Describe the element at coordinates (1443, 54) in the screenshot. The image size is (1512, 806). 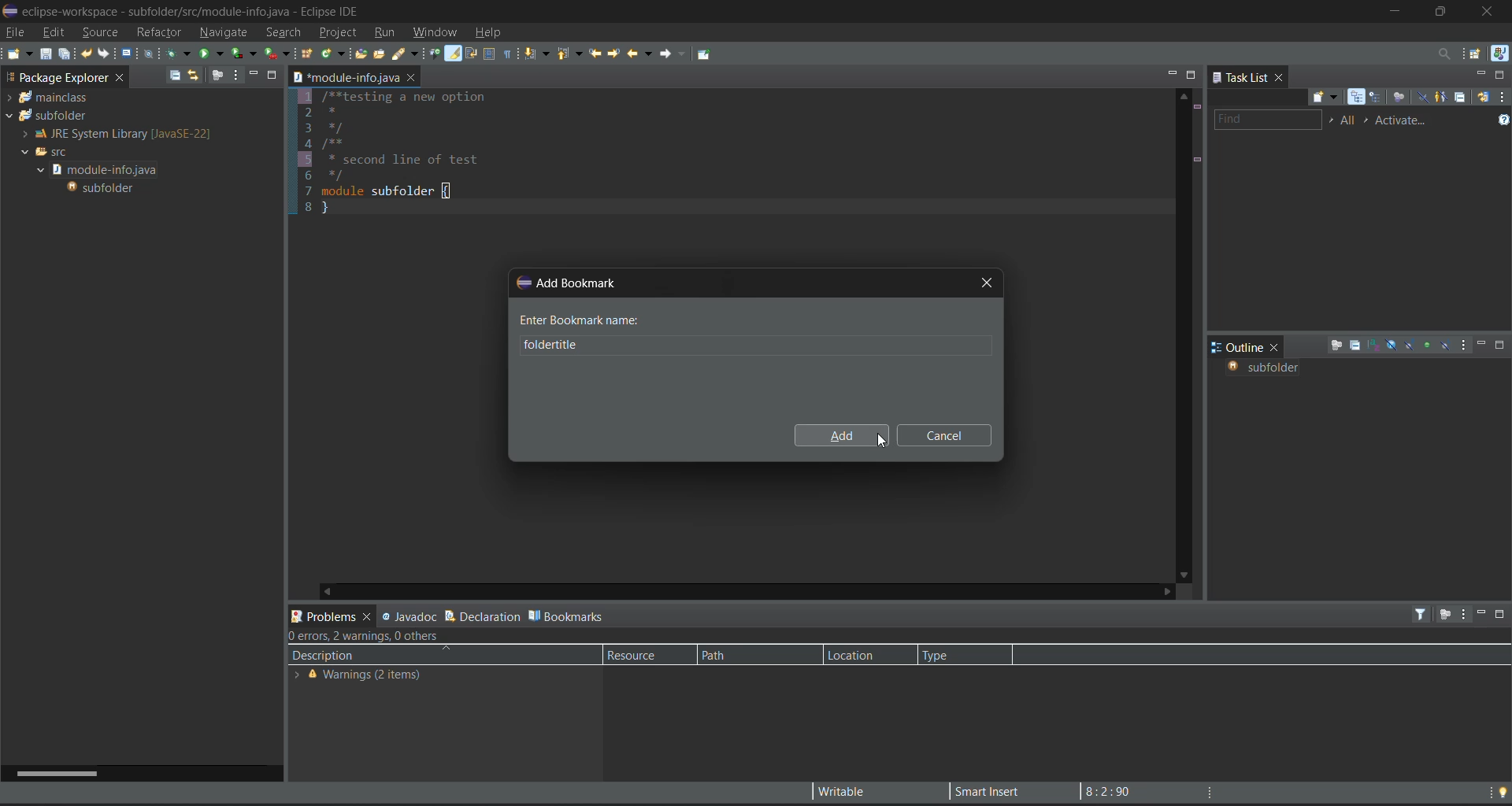
I see `access commands and other items` at that location.